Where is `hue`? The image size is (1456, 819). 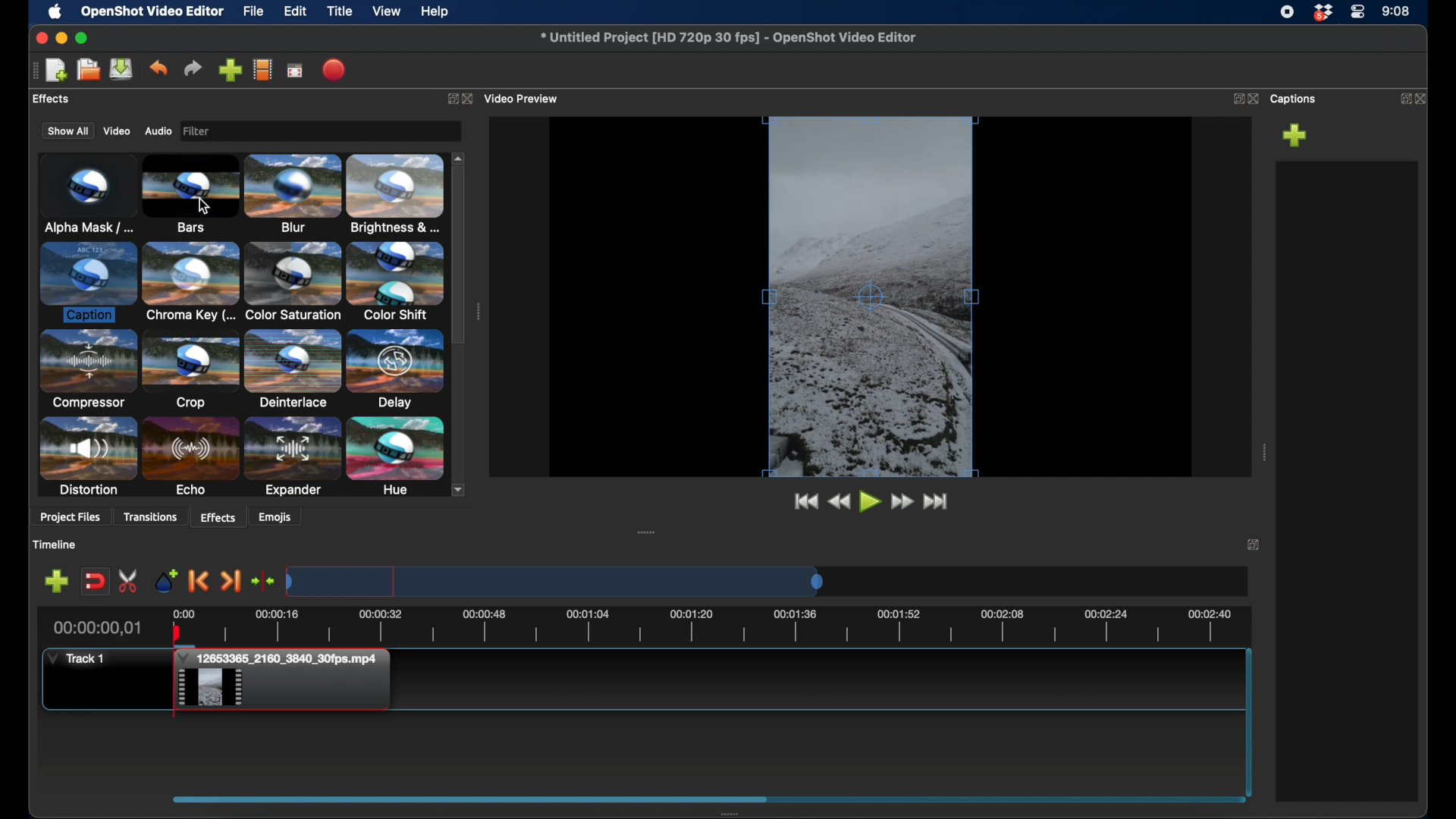
hue is located at coordinates (394, 457).